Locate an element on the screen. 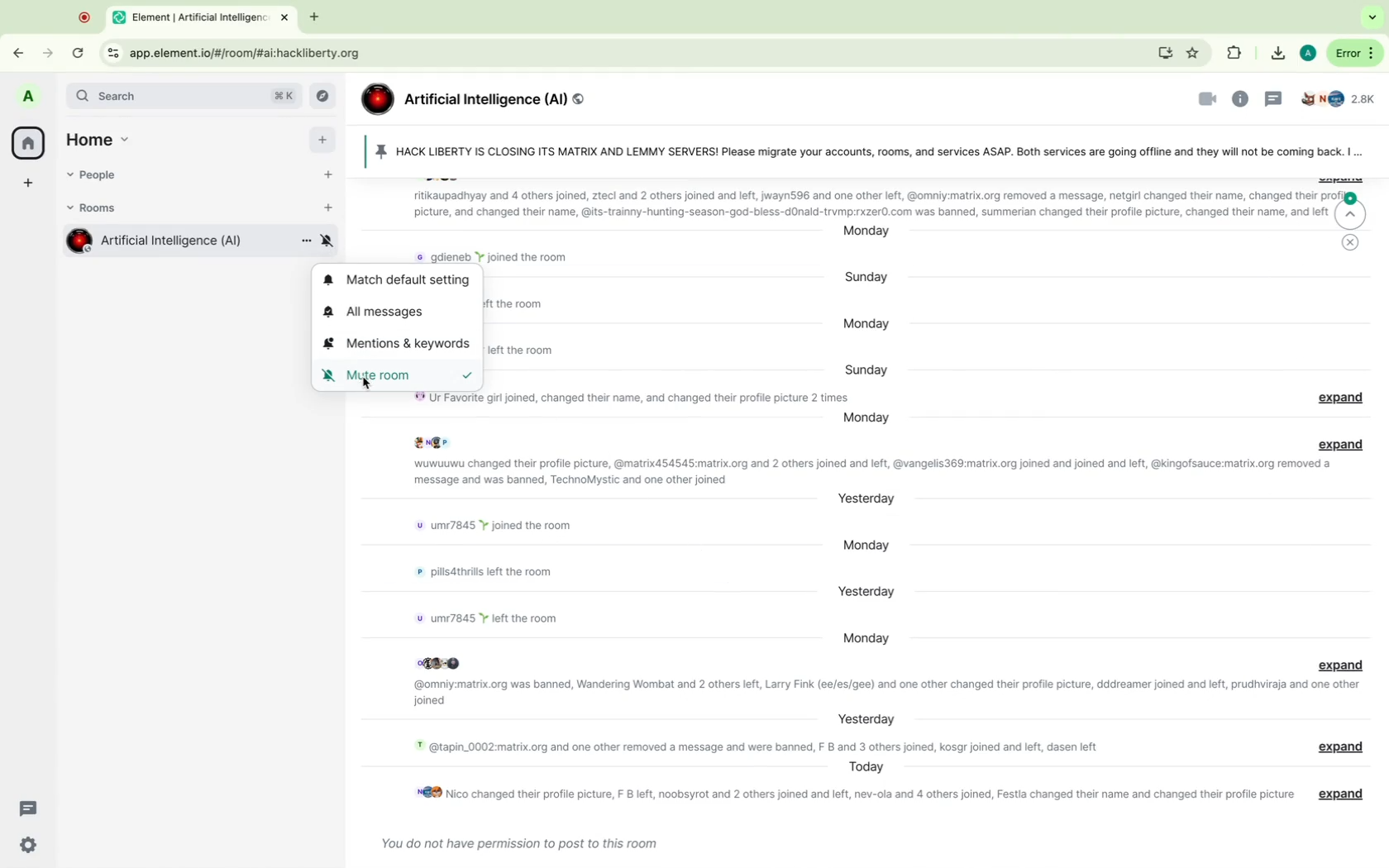 This screenshot has height=868, width=1389. message is located at coordinates (518, 351).